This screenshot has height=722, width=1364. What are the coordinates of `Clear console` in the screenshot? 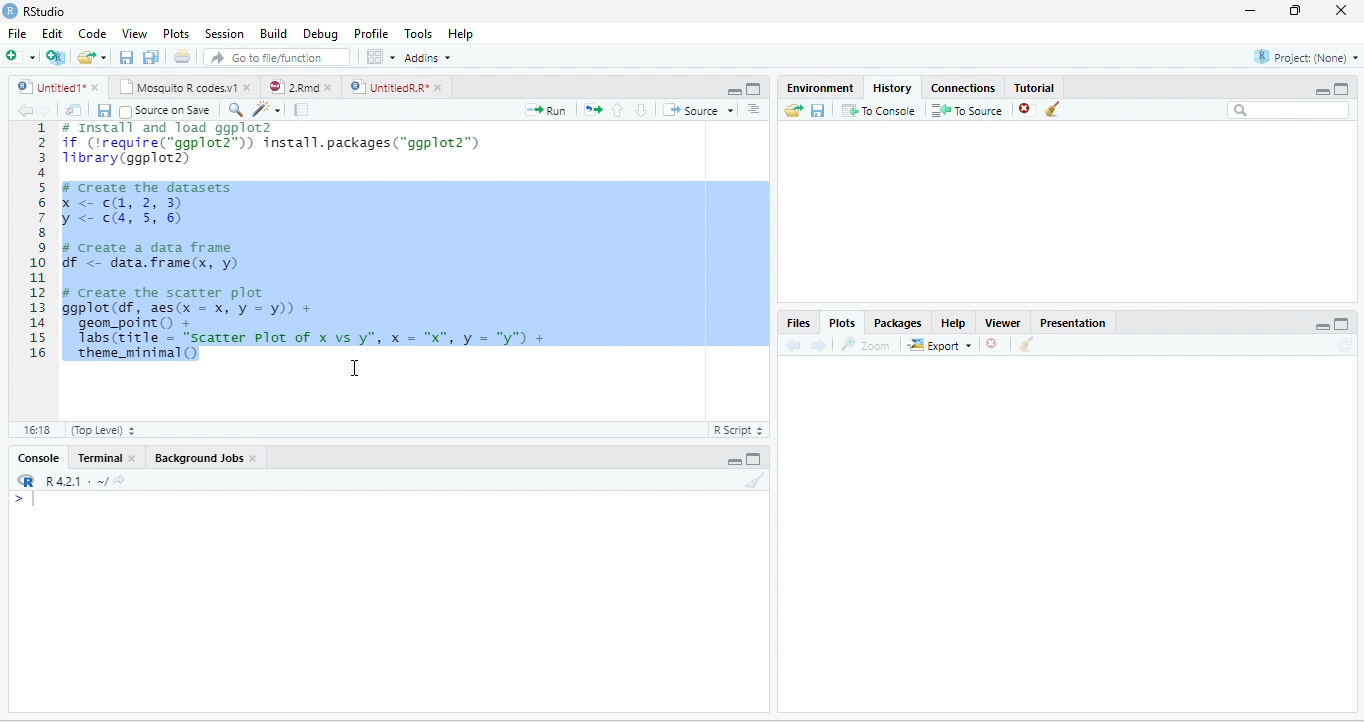 It's located at (756, 480).